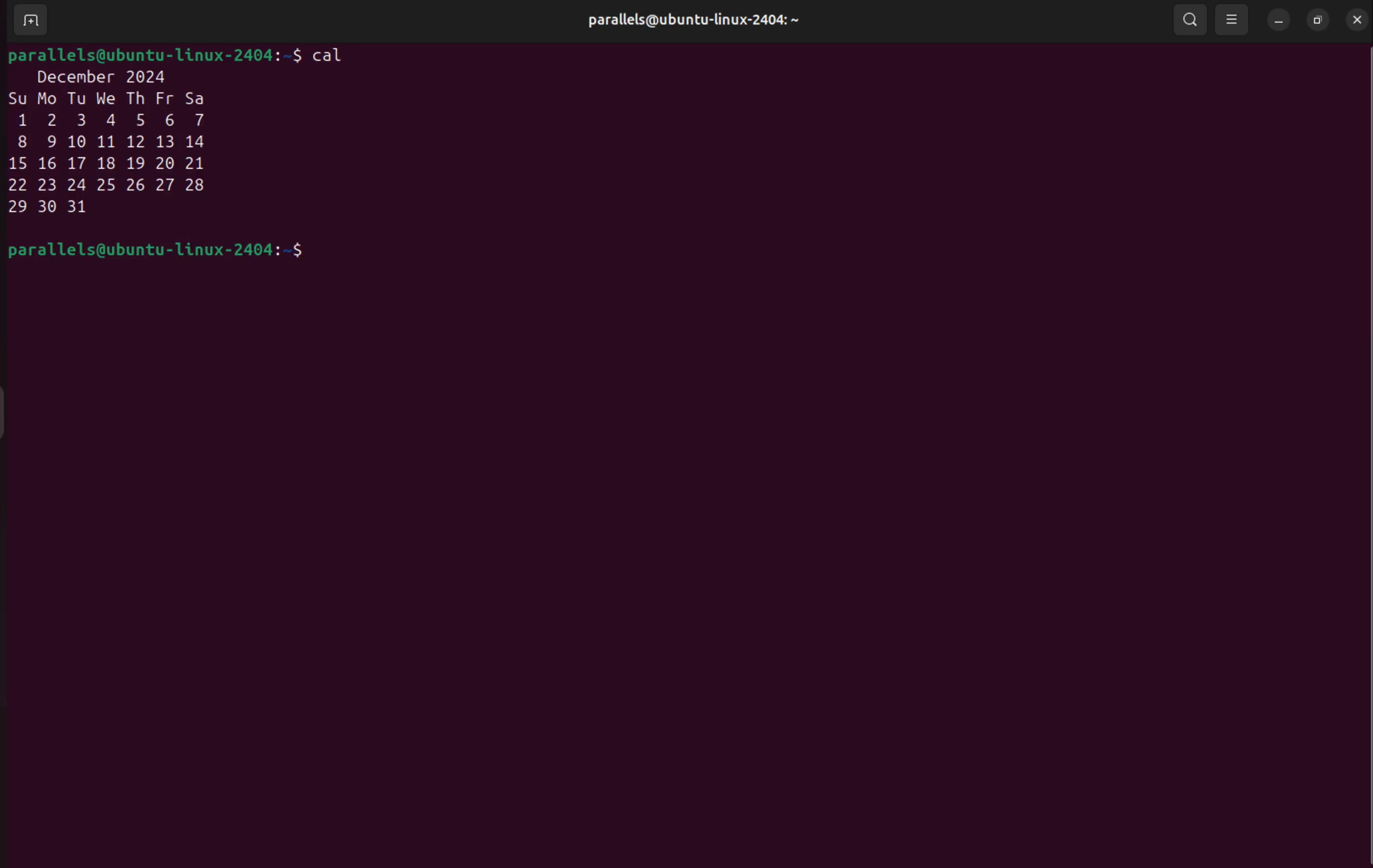 Image resolution: width=1373 pixels, height=868 pixels. What do you see at coordinates (30, 19) in the screenshot?
I see `add terminal` at bounding box center [30, 19].